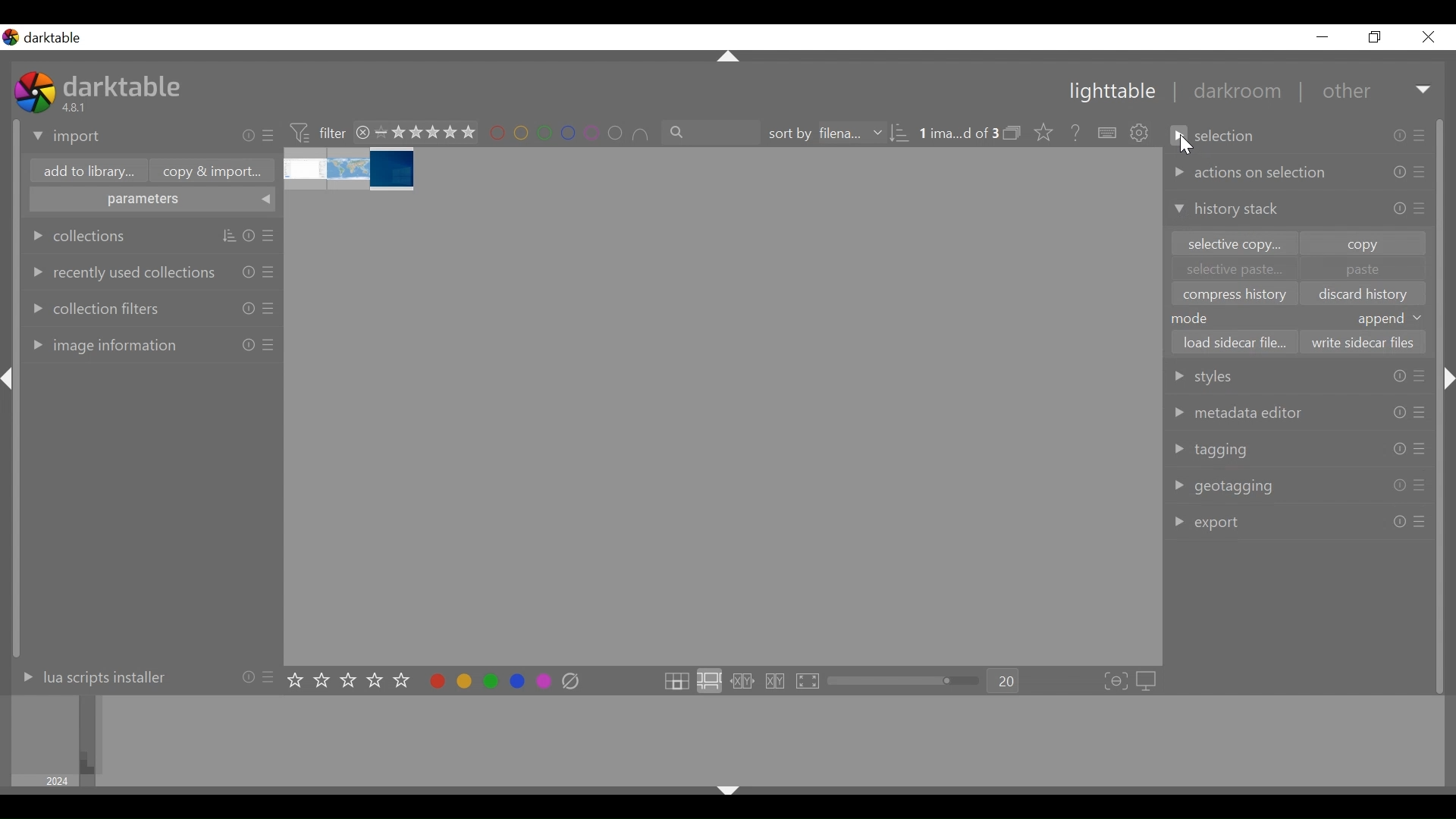 The width and height of the screenshot is (1456, 819). What do you see at coordinates (102, 344) in the screenshot?
I see `image information` at bounding box center [102, 344].